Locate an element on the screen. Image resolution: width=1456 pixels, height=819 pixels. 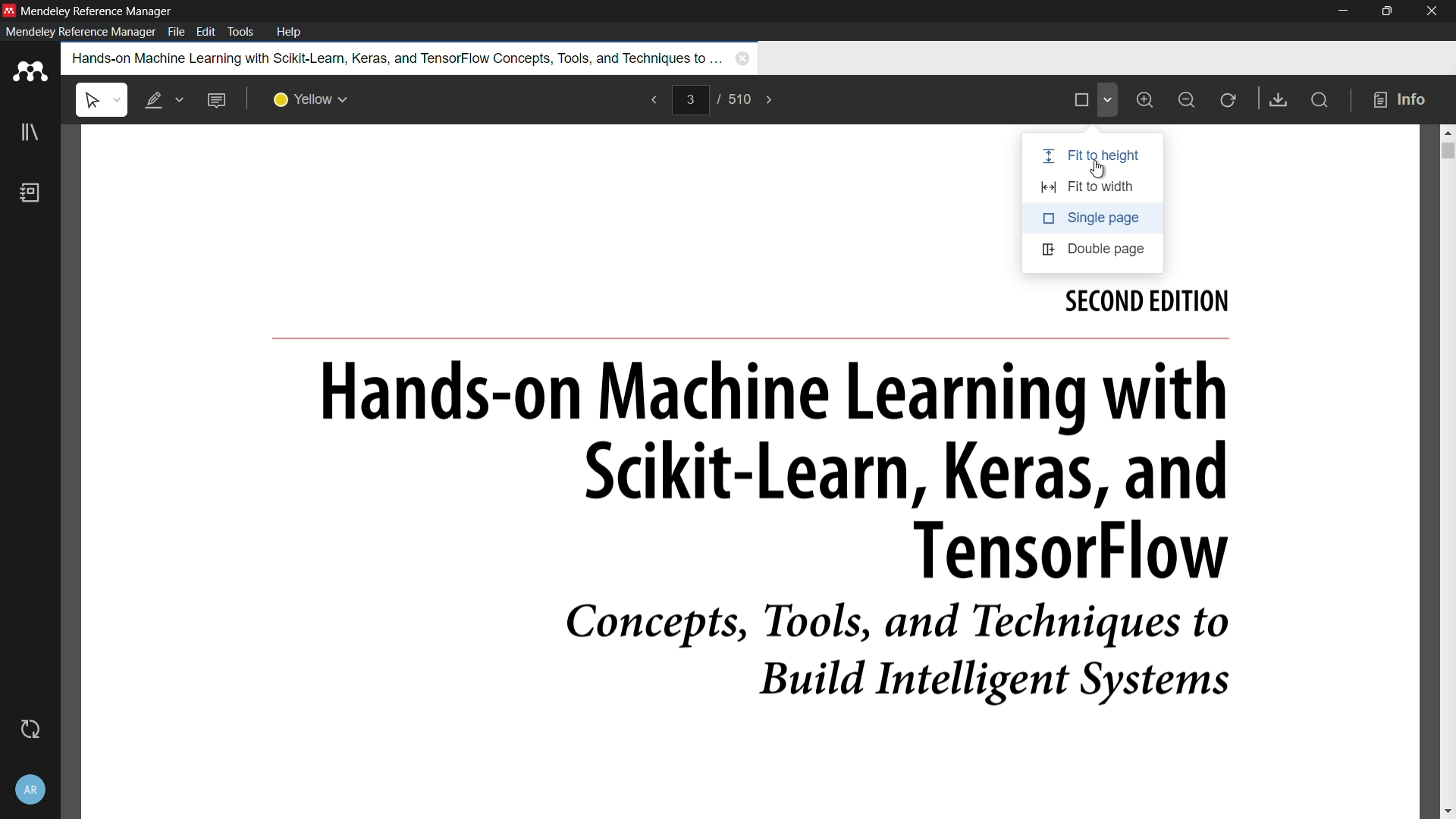
text highlight is located at coordinates (162, 101).